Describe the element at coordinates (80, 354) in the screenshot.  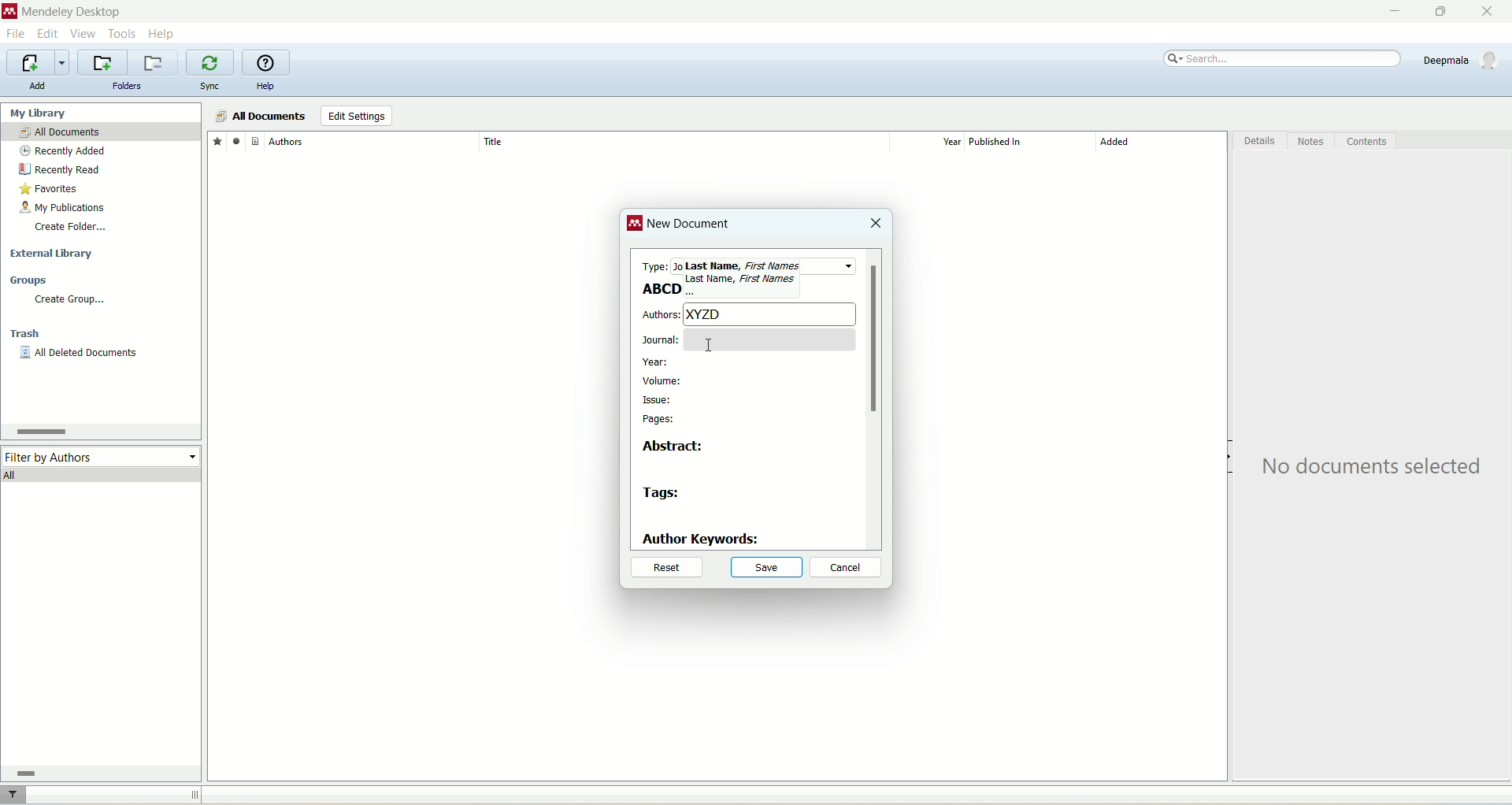
I see `all deleted` at that location.